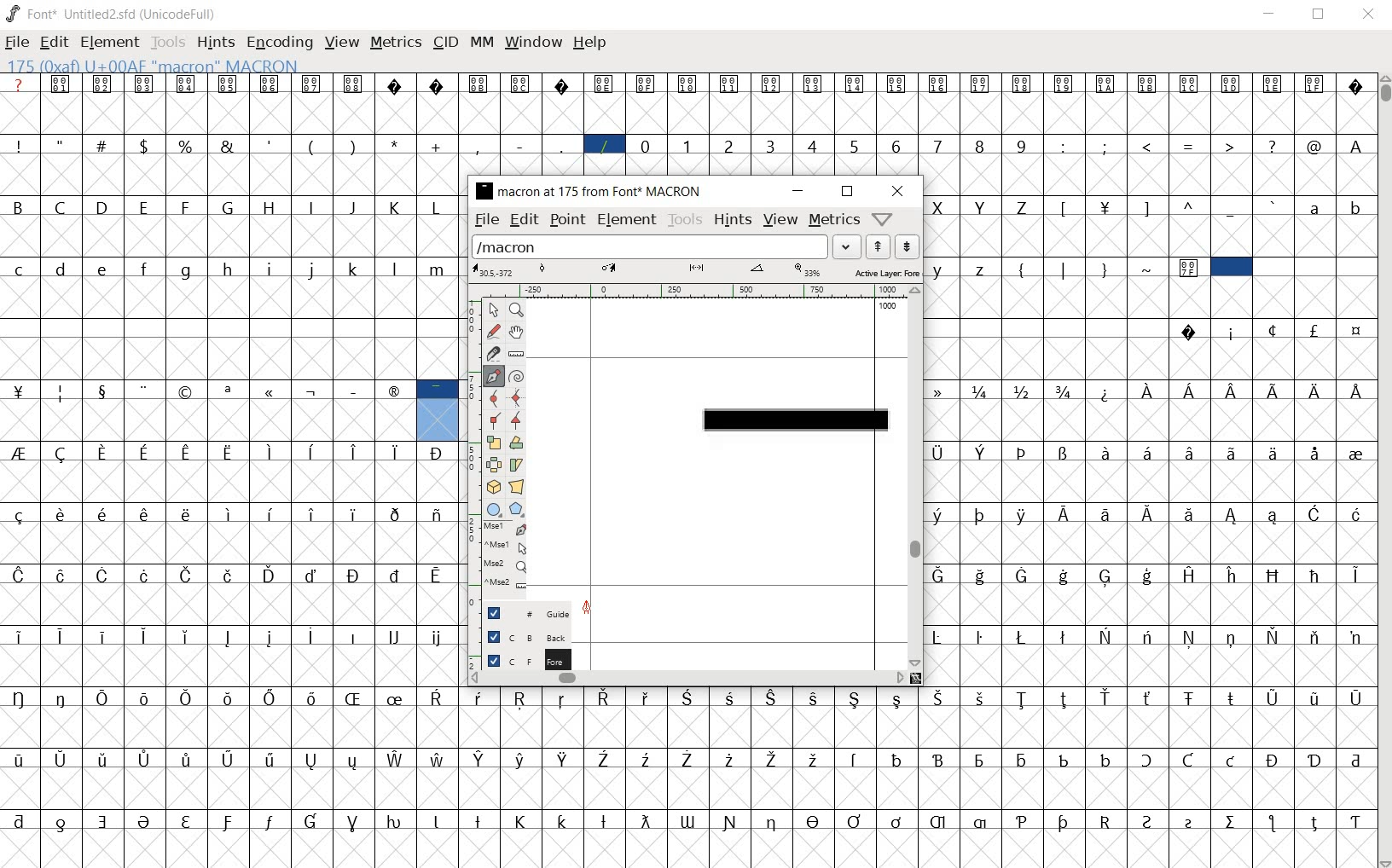 This screenshot has height=868, width=1392. What do you see at coordinates (189, 635) in the screenshot?
I see `Symbol` at bounding box center [189, 635].